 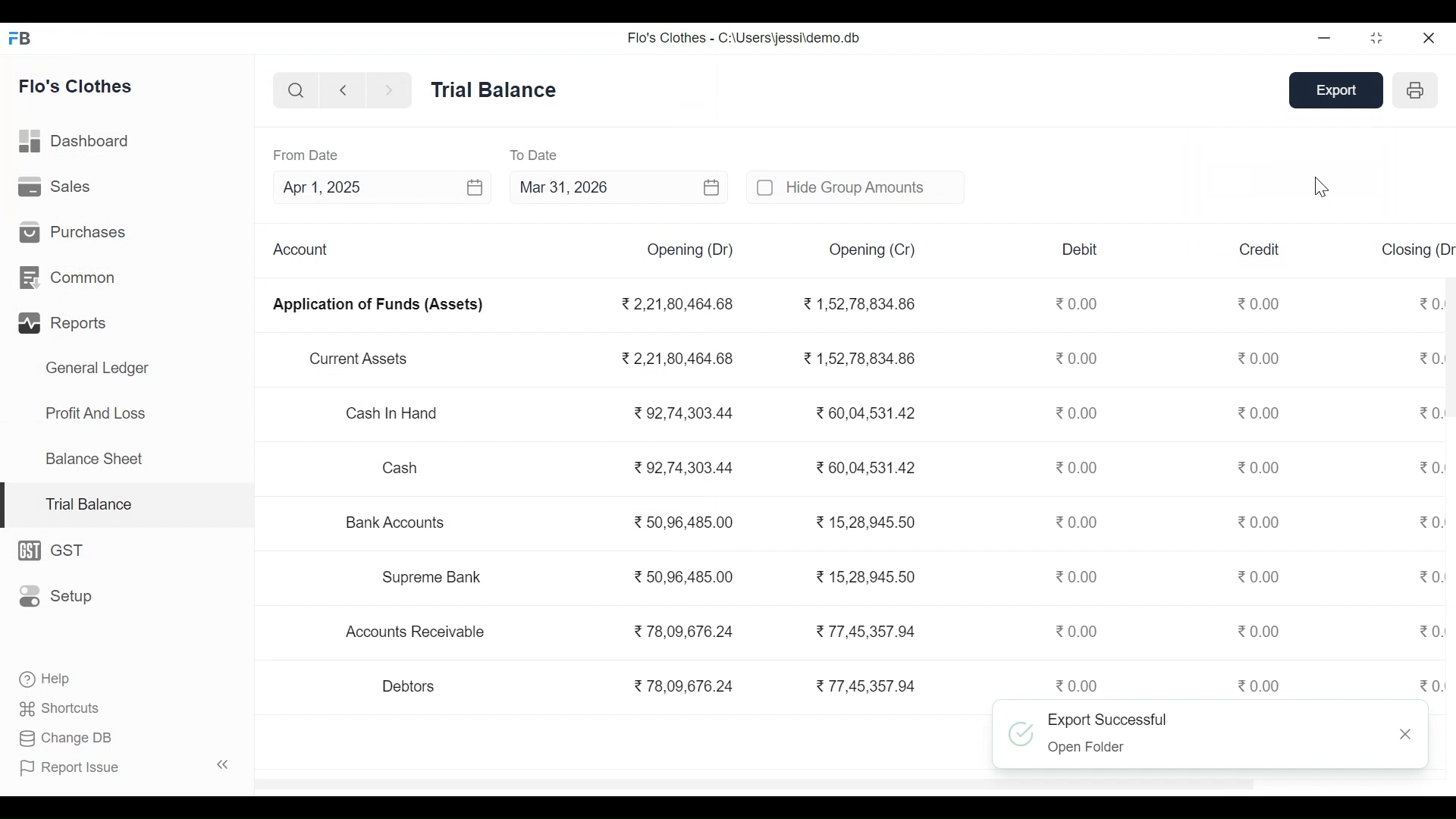 I want to click on 2,21,80,464.68, so click(x=676, y=304).